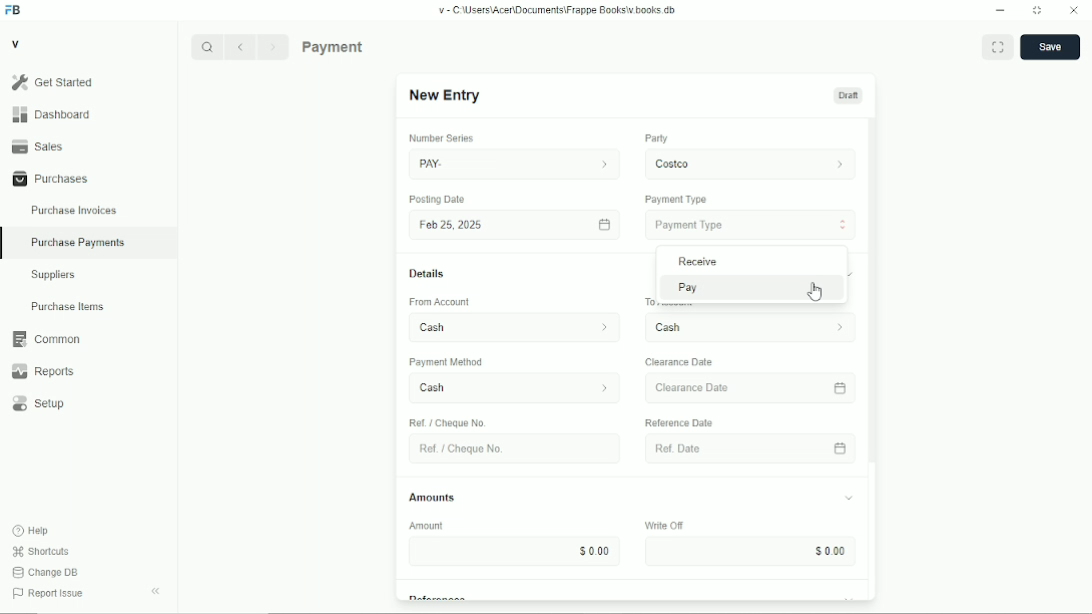  I want to click on Fob 25,2025, so click(511, 224).